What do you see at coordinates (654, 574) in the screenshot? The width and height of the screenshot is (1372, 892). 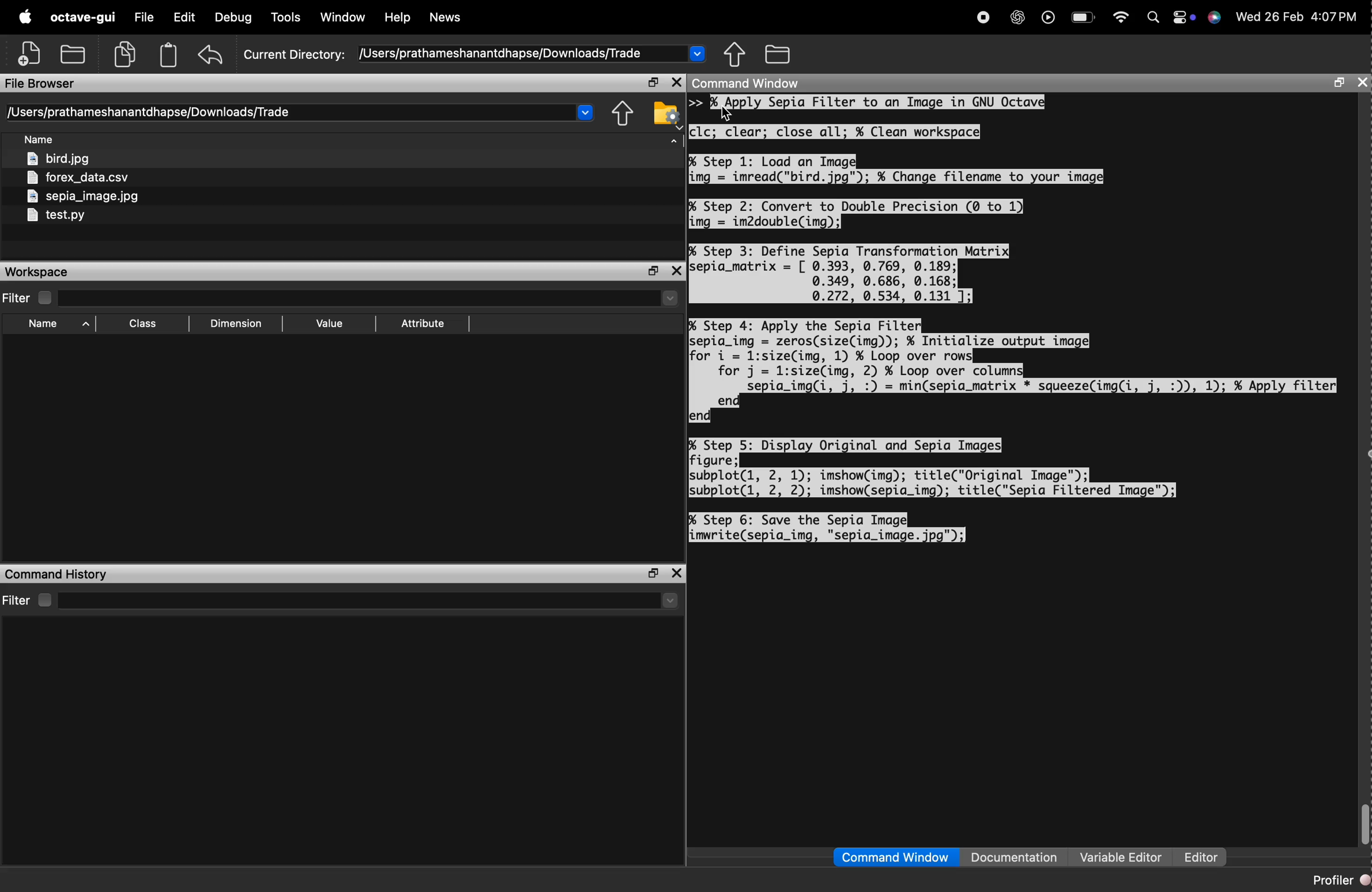 I see `open in separate window` at bounding box center [654, 574].